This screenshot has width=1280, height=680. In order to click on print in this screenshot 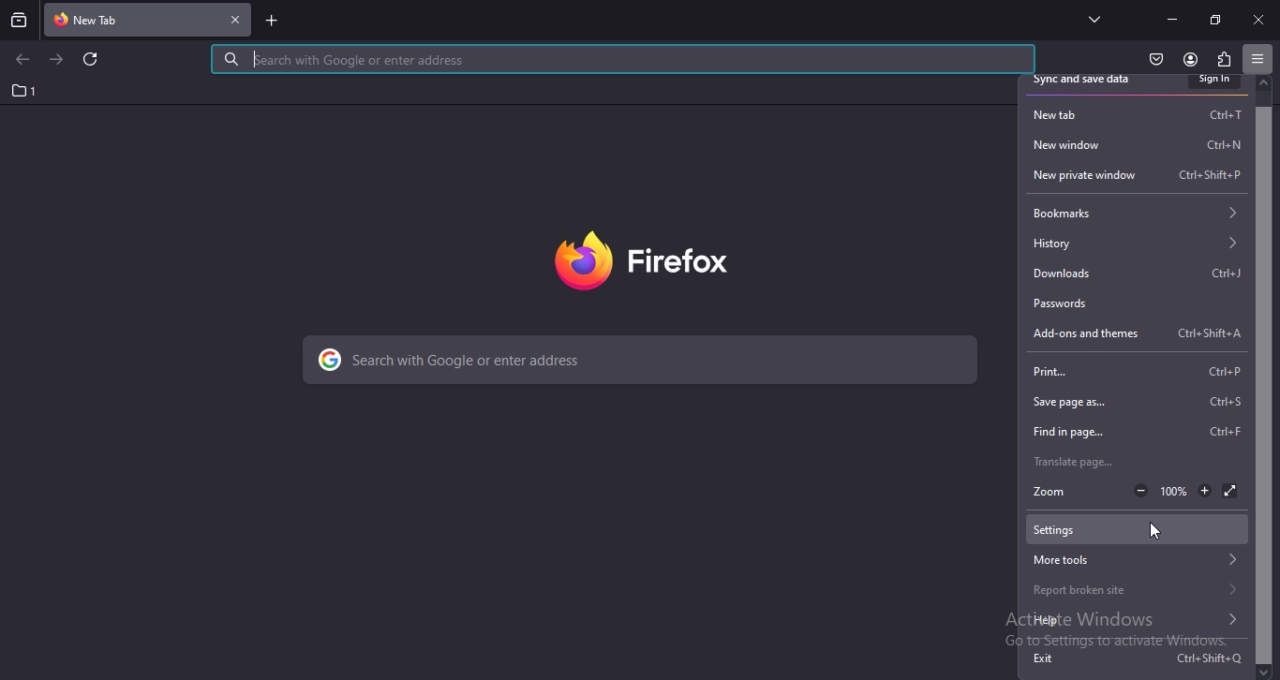, I will do `click(1137, 368)`.